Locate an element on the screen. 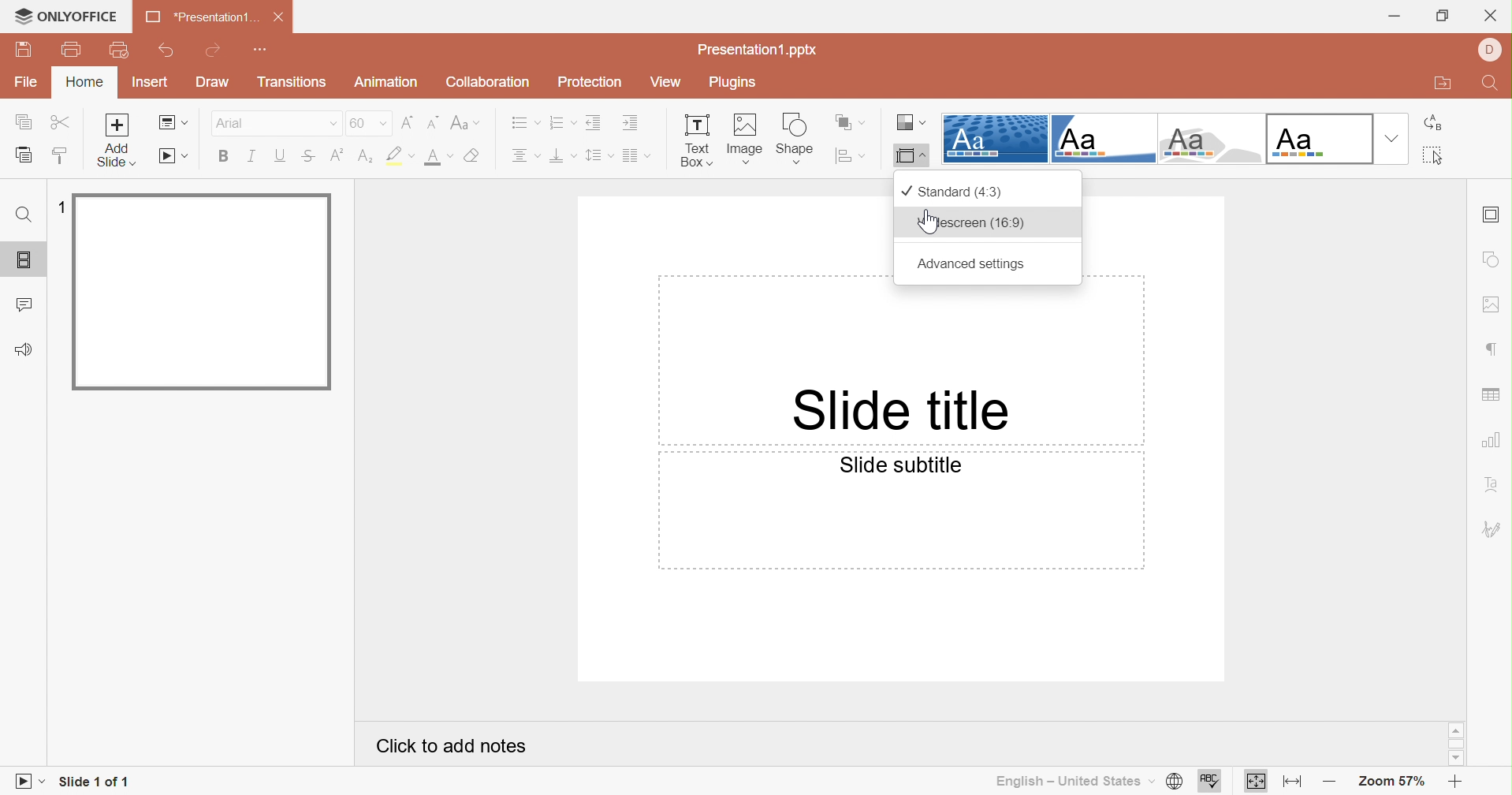  Change case is located at coordinates (464, 125).